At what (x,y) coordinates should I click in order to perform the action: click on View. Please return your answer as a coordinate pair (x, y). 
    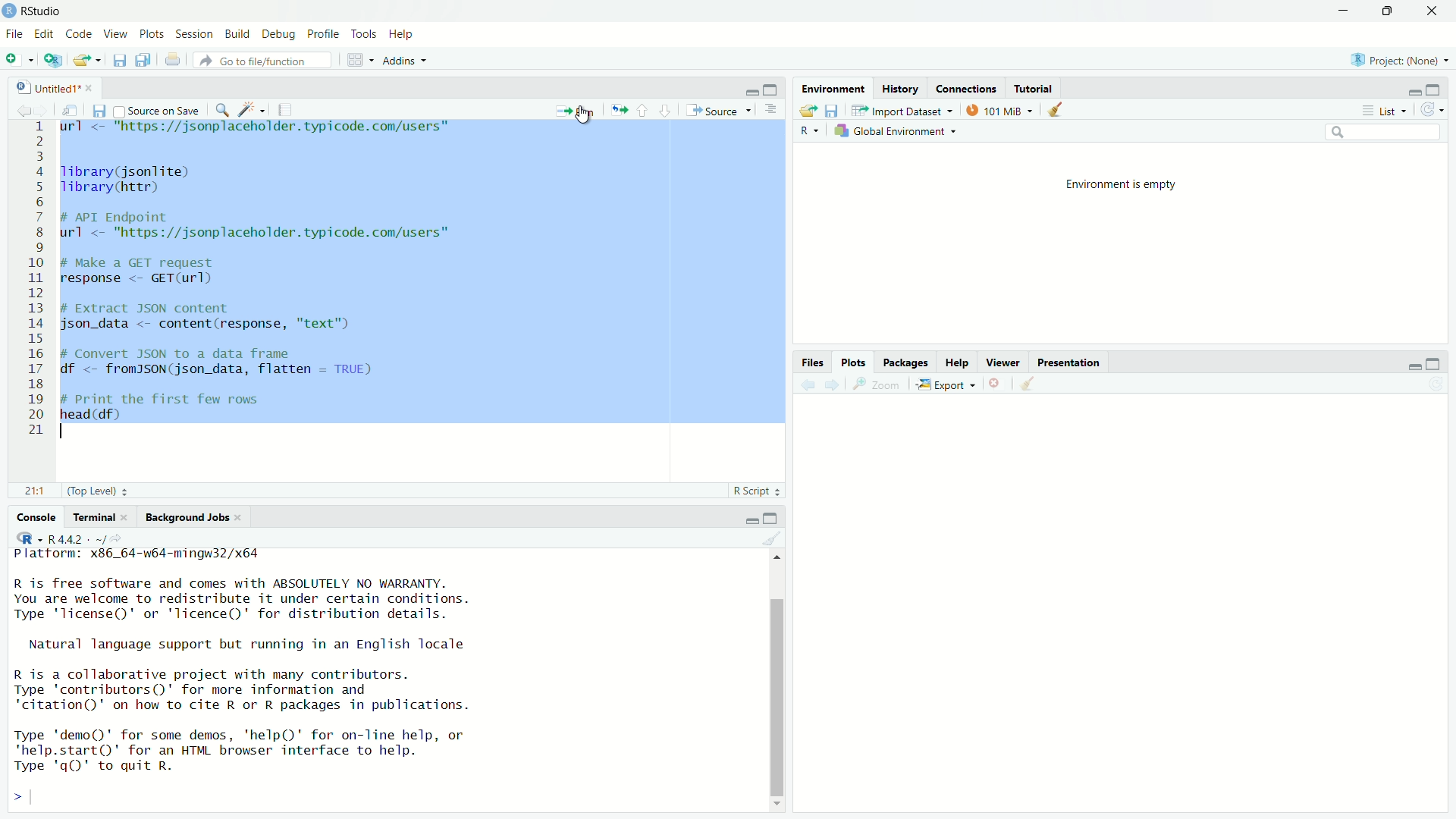
    Looking at the image, I should click on (115, 35).